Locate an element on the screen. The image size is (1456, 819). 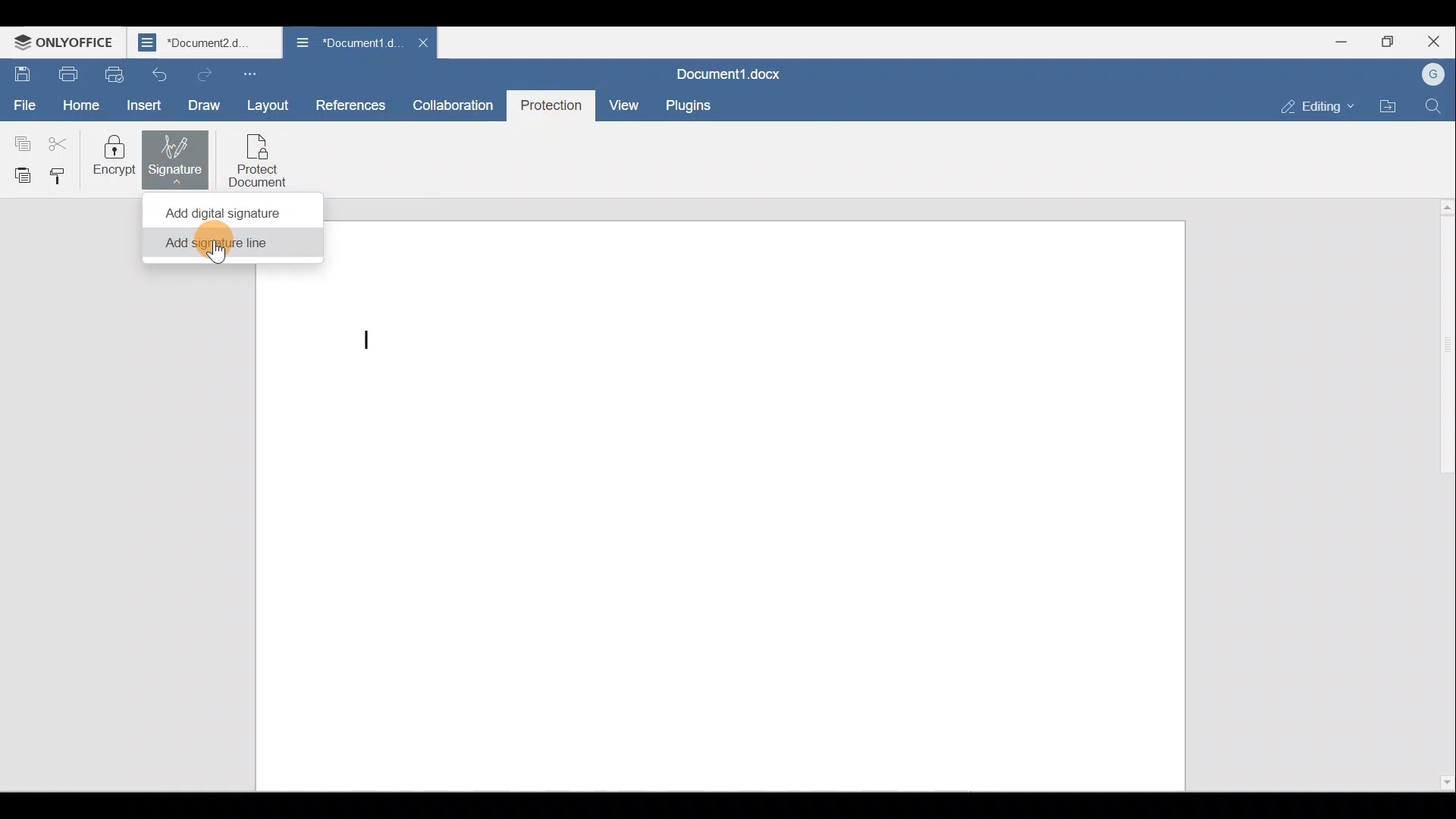
Save is located at coordinates (21, 73).